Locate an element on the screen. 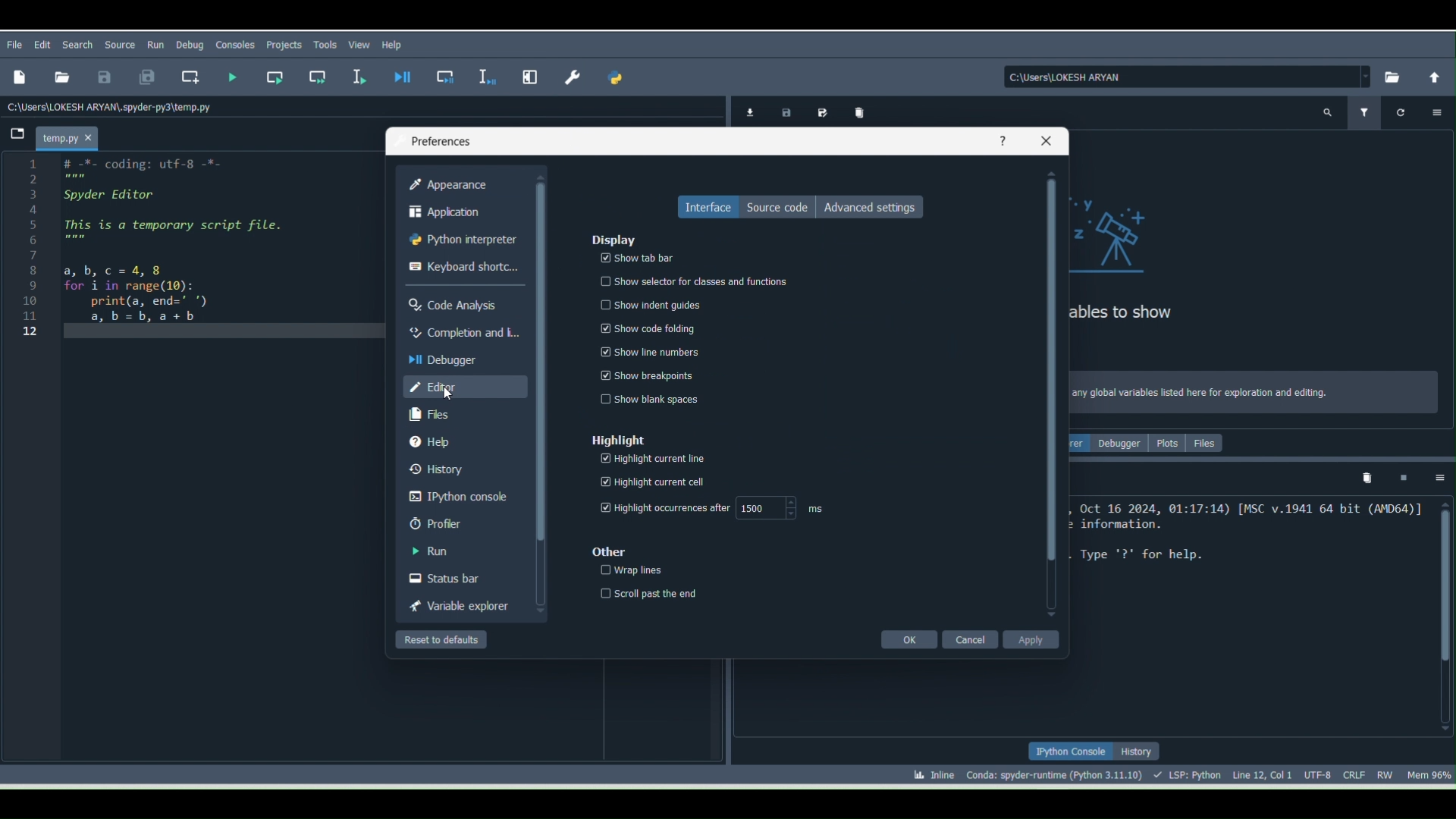 This screenshot has height=819, width=1456. Options is located at coordinates (1441, 478).